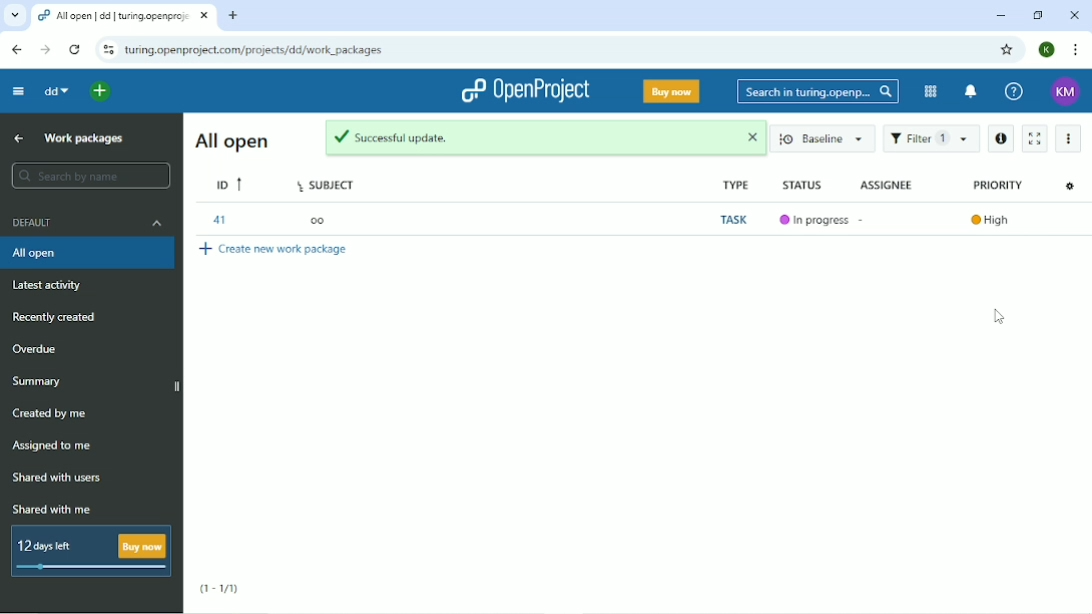 This screenshot has height=614, width=1092. Describe the element at coordinates (970, 92) in the screenshot. I see `To notification center` at that location.